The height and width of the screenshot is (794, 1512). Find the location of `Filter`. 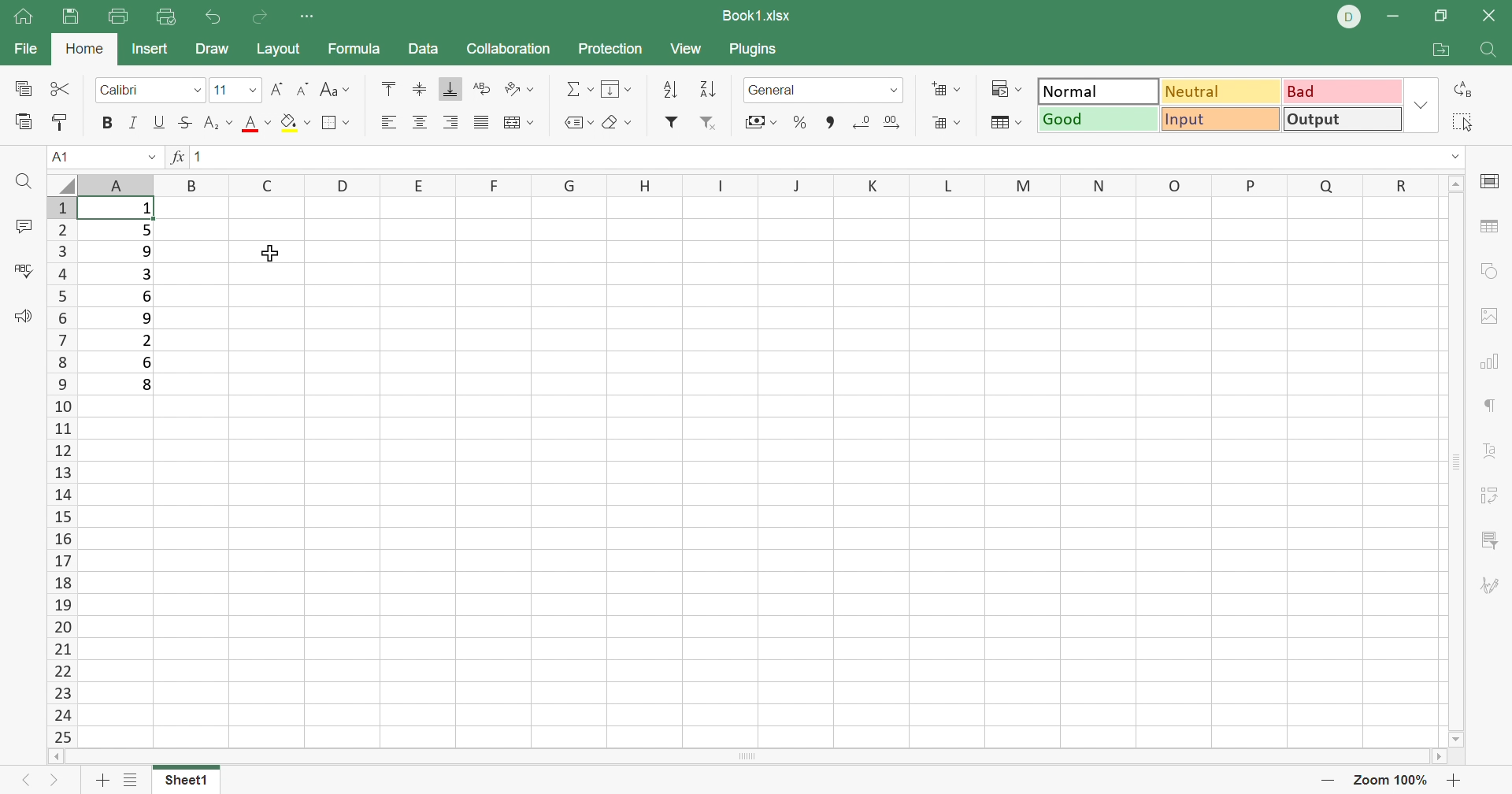

Filter is located at coordinates (672, 121).